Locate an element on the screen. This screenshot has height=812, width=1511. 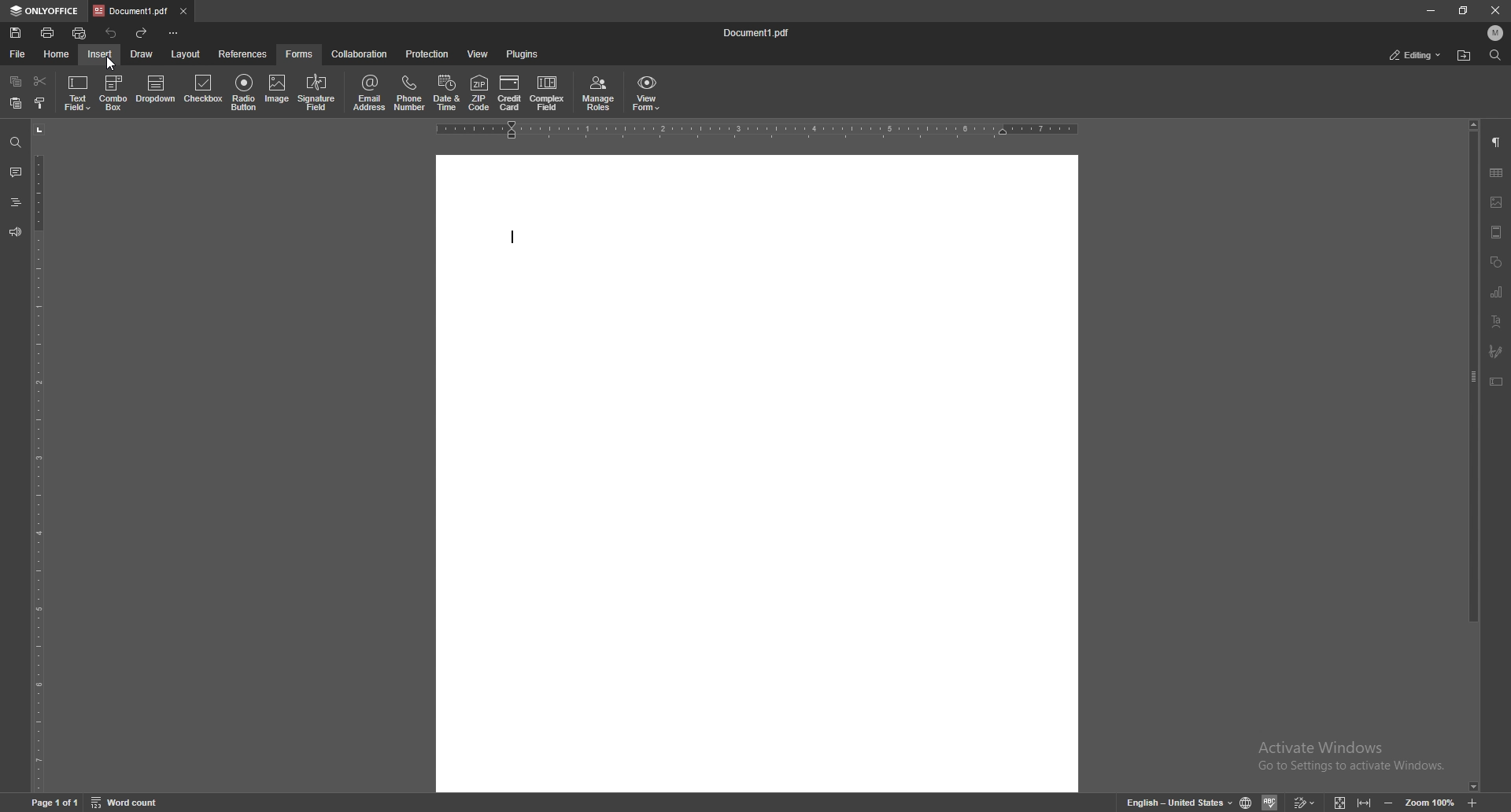
collaboration is located at coordinates (363, 53).